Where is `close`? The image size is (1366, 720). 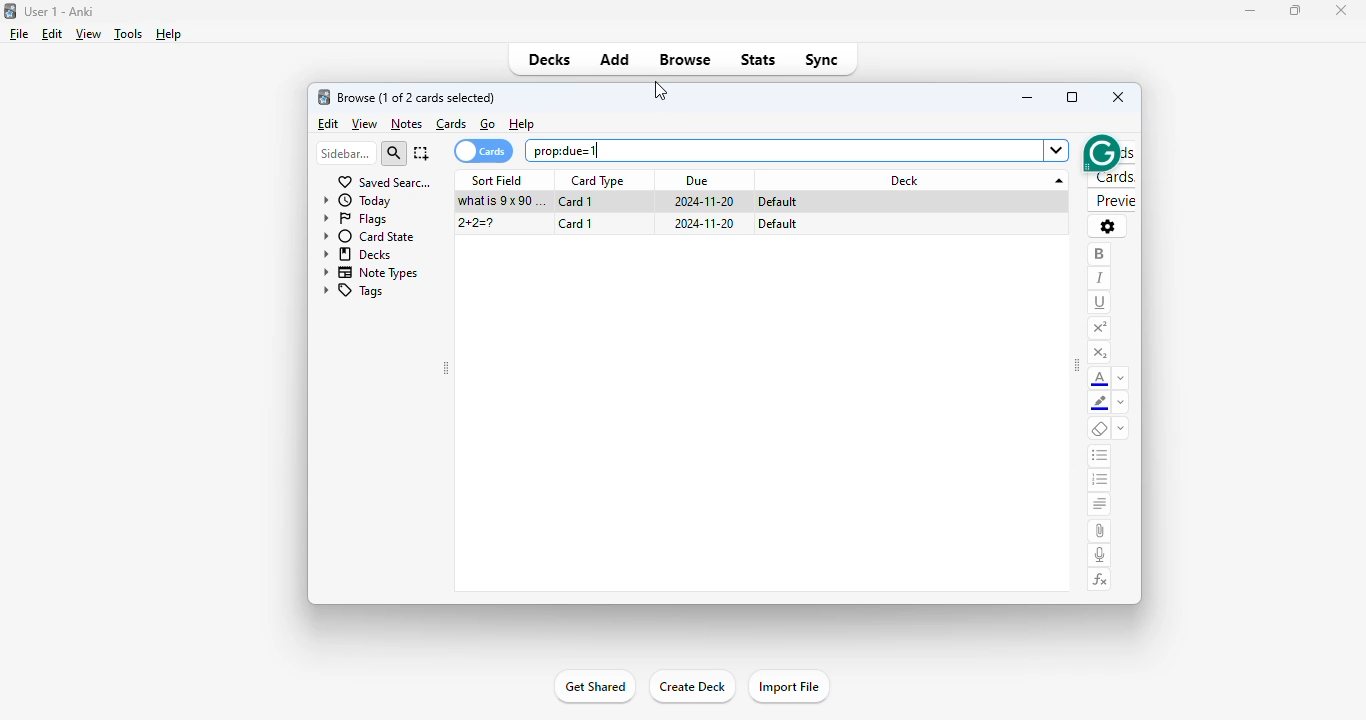
close is located at coordinates (1118, 97).